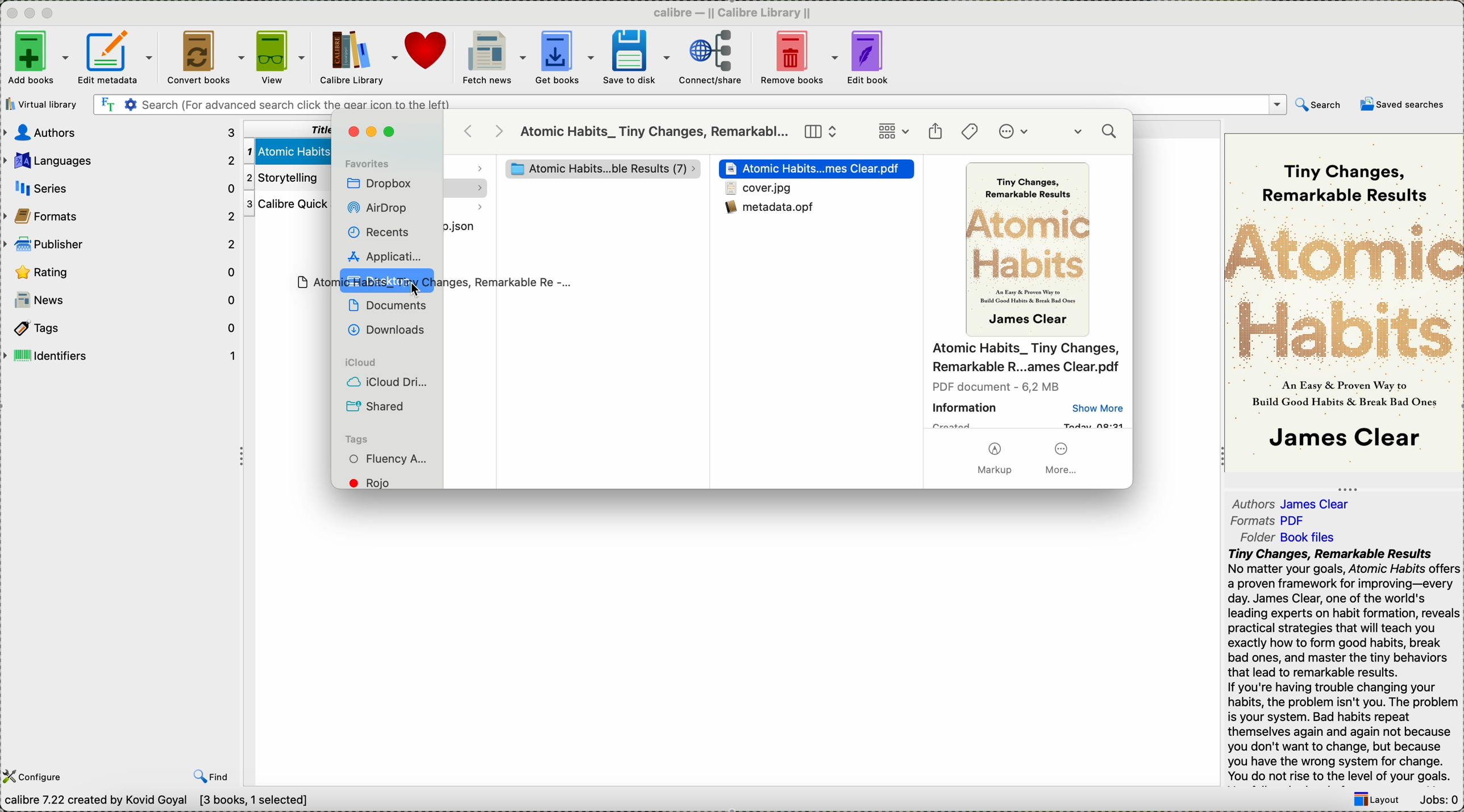 The width and height of the screenshot is (1464, 812). What do you see at coordinates (44, 104) in the screenshot?
I see `virtual library` at bounding box center [44, 104].